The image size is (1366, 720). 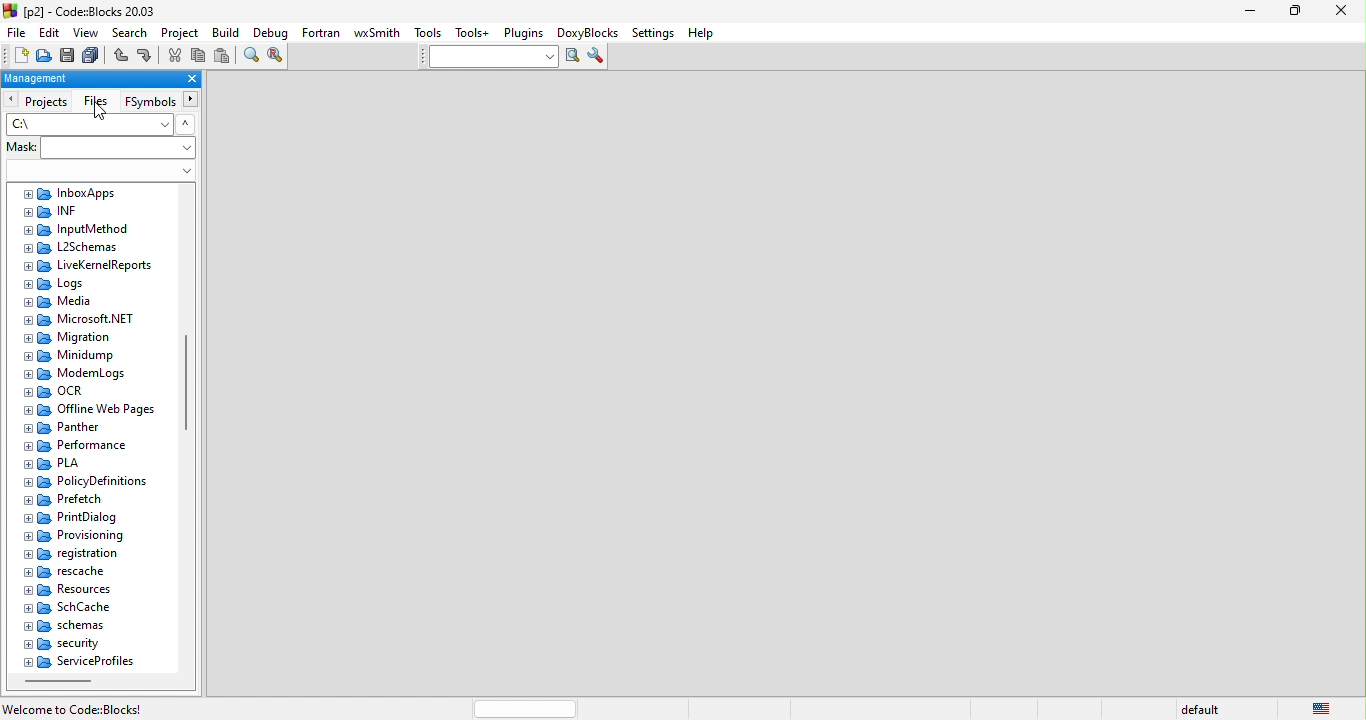 What do you see at coordinates (85, 516) in the screenshot?
I see `print dialog` at bounding box center [85, 516].